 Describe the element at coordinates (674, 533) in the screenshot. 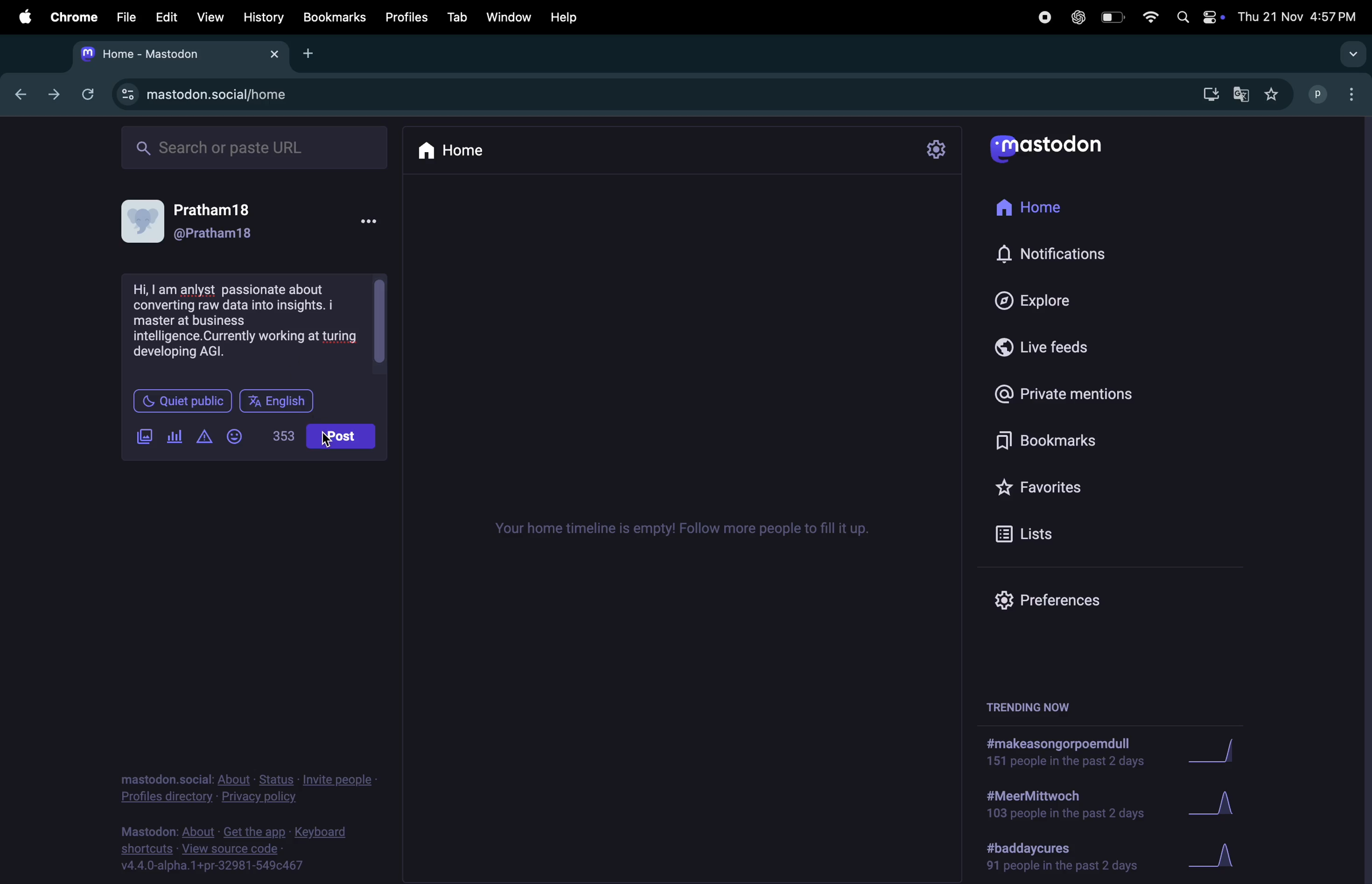

I see `time lines` at that location.